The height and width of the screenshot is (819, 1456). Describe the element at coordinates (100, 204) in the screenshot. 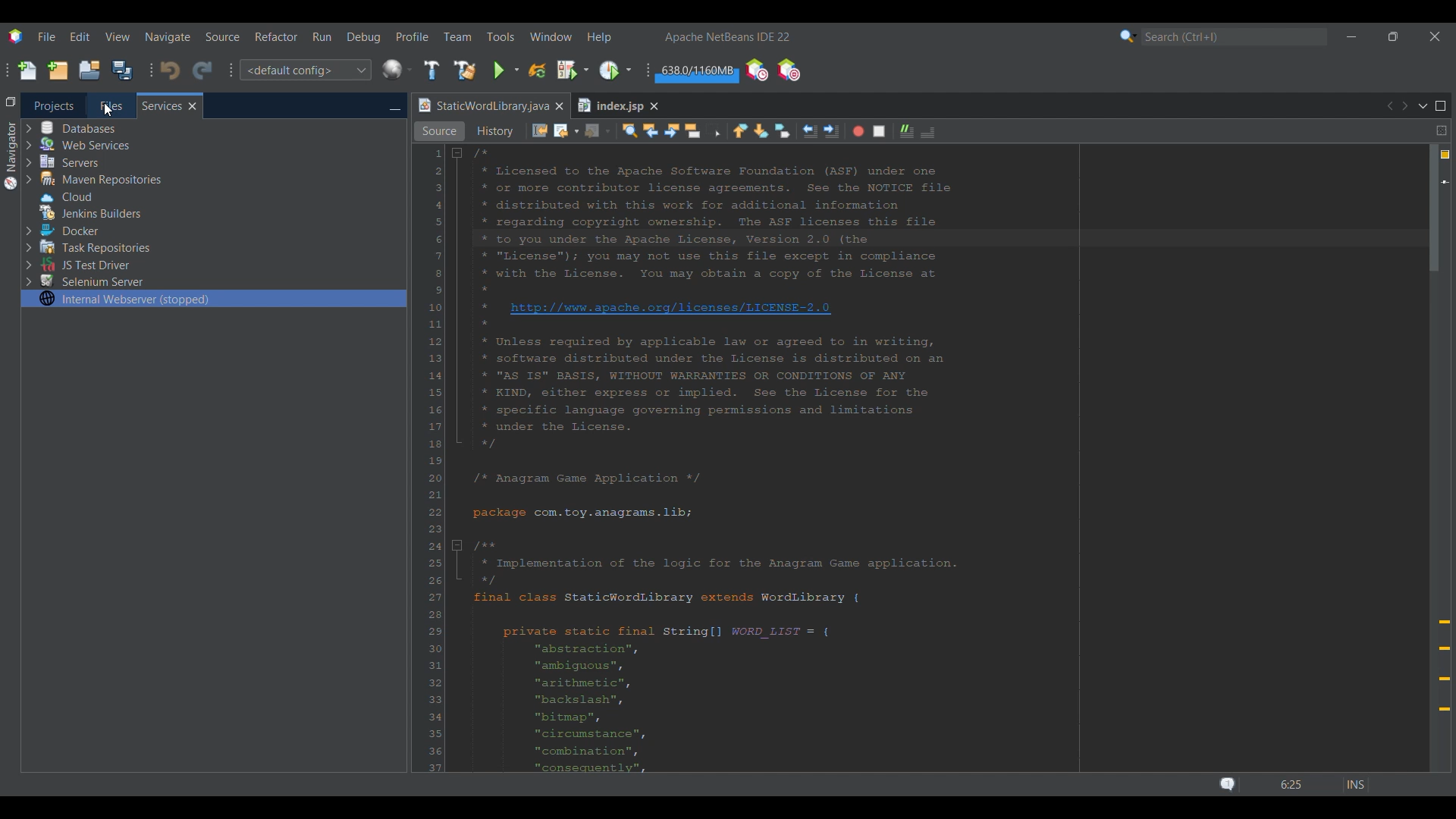

I see `File and folder options under services` at that location.